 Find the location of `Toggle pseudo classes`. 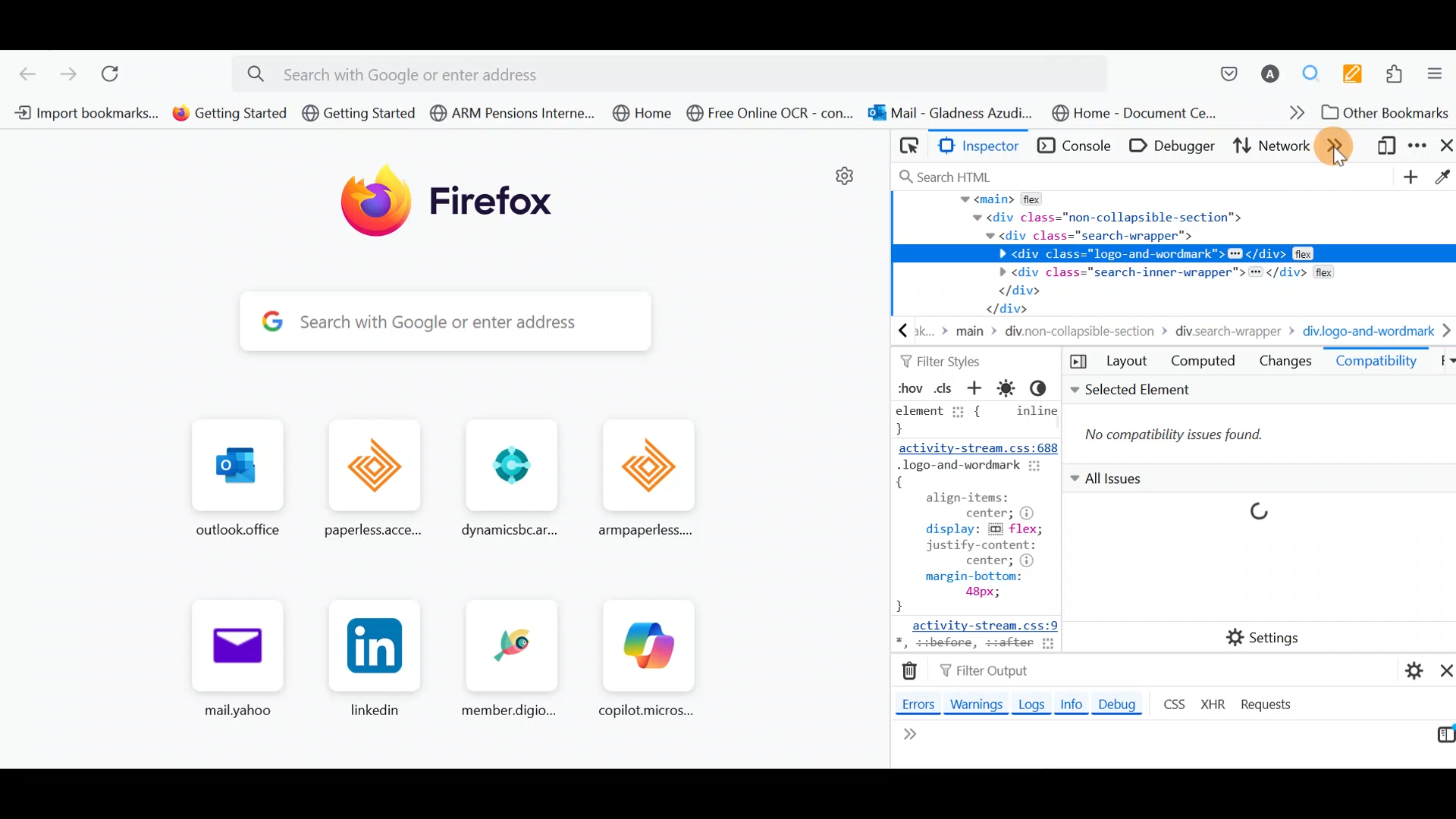

Toggle pseudo classes is located at coordinates (908, 388).